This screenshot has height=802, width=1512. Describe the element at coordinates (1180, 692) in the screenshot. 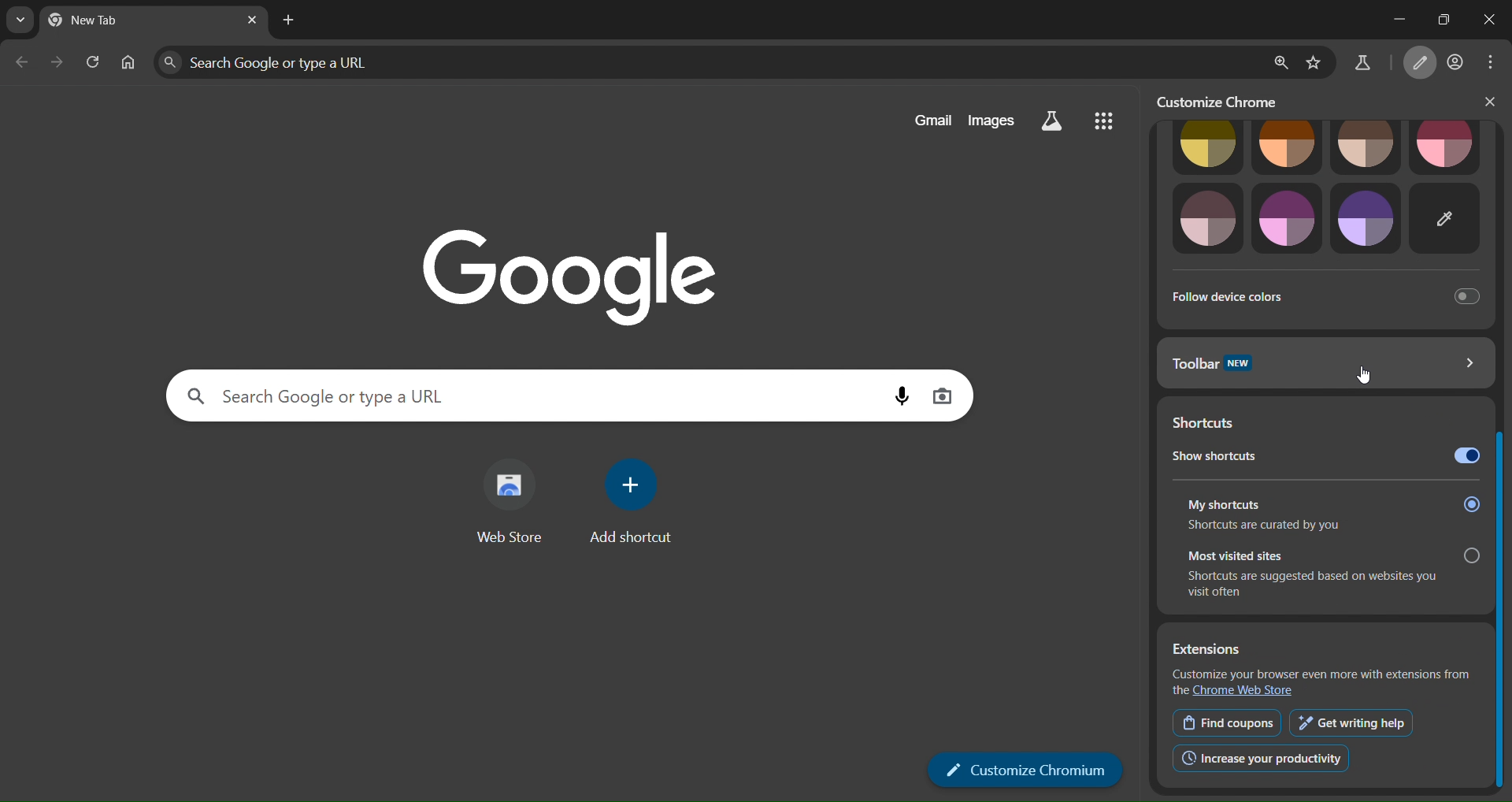

I see `the` at that location.